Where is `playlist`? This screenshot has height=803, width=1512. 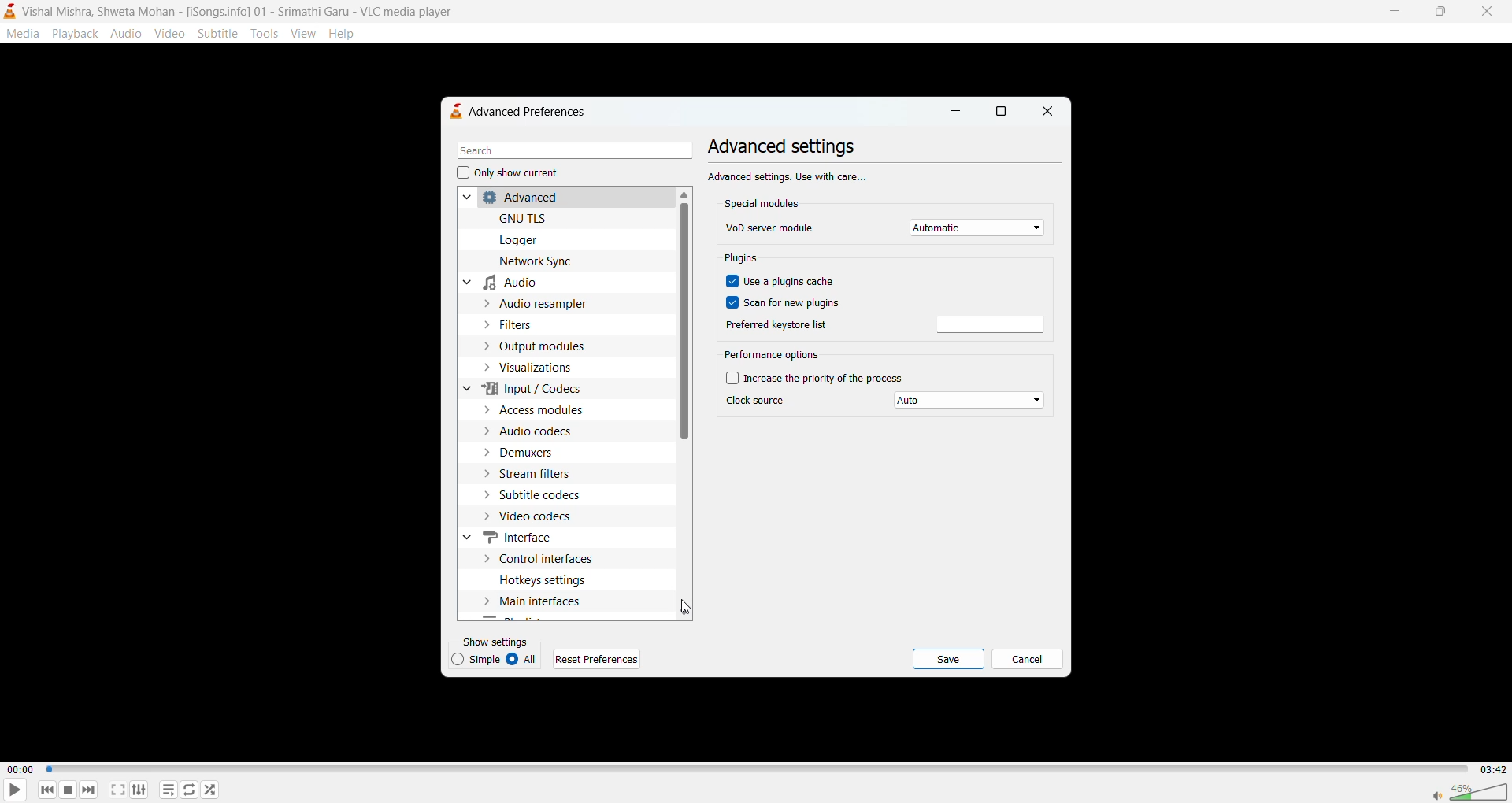
playlist is located at coordinates (171, 790).